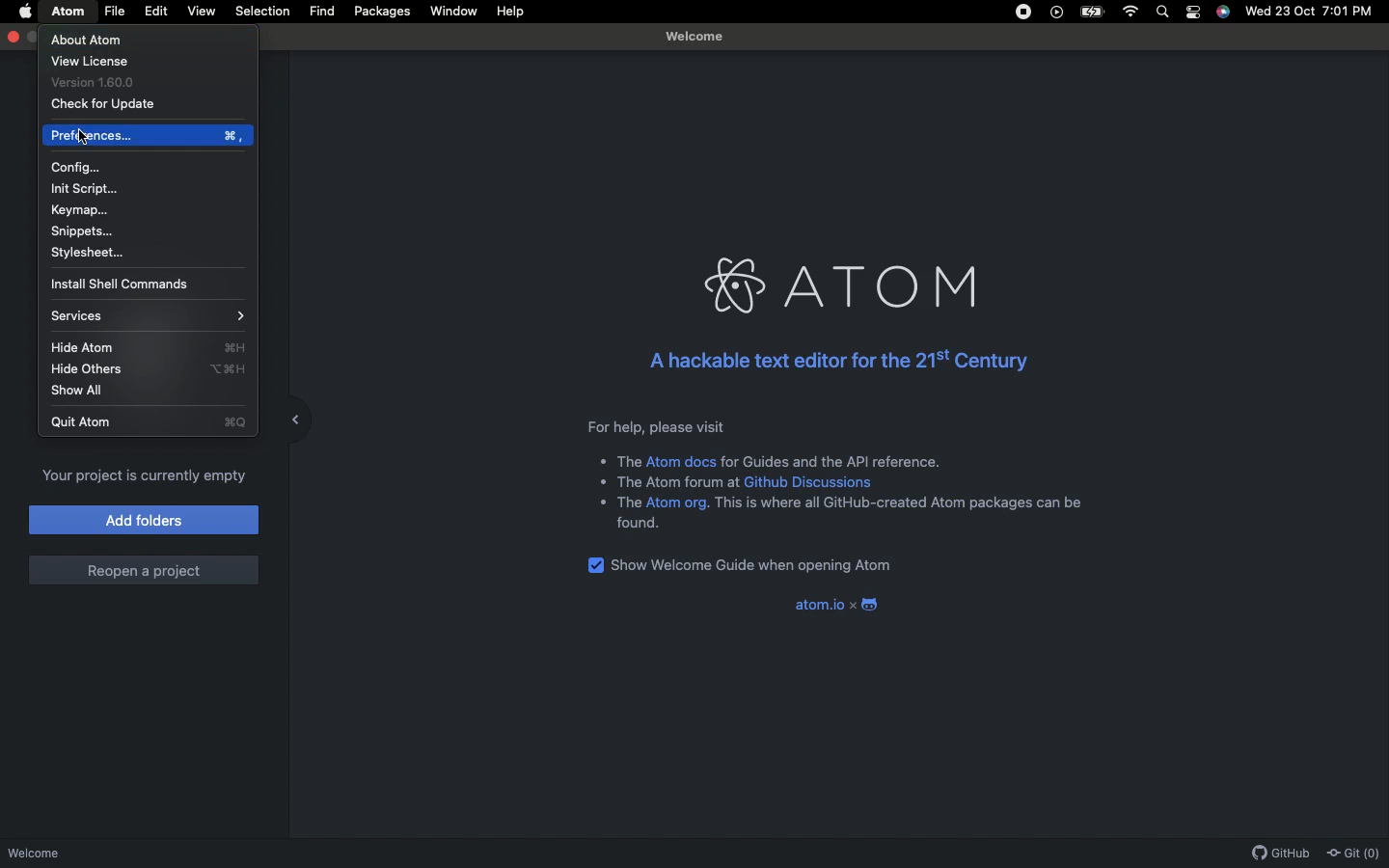 This screenshot has width=1389, height=868. What do you see at coordinates (836, 606) in the screenshot?
I see `Atom.io x Atom logo` at bounding box center [836, 606].